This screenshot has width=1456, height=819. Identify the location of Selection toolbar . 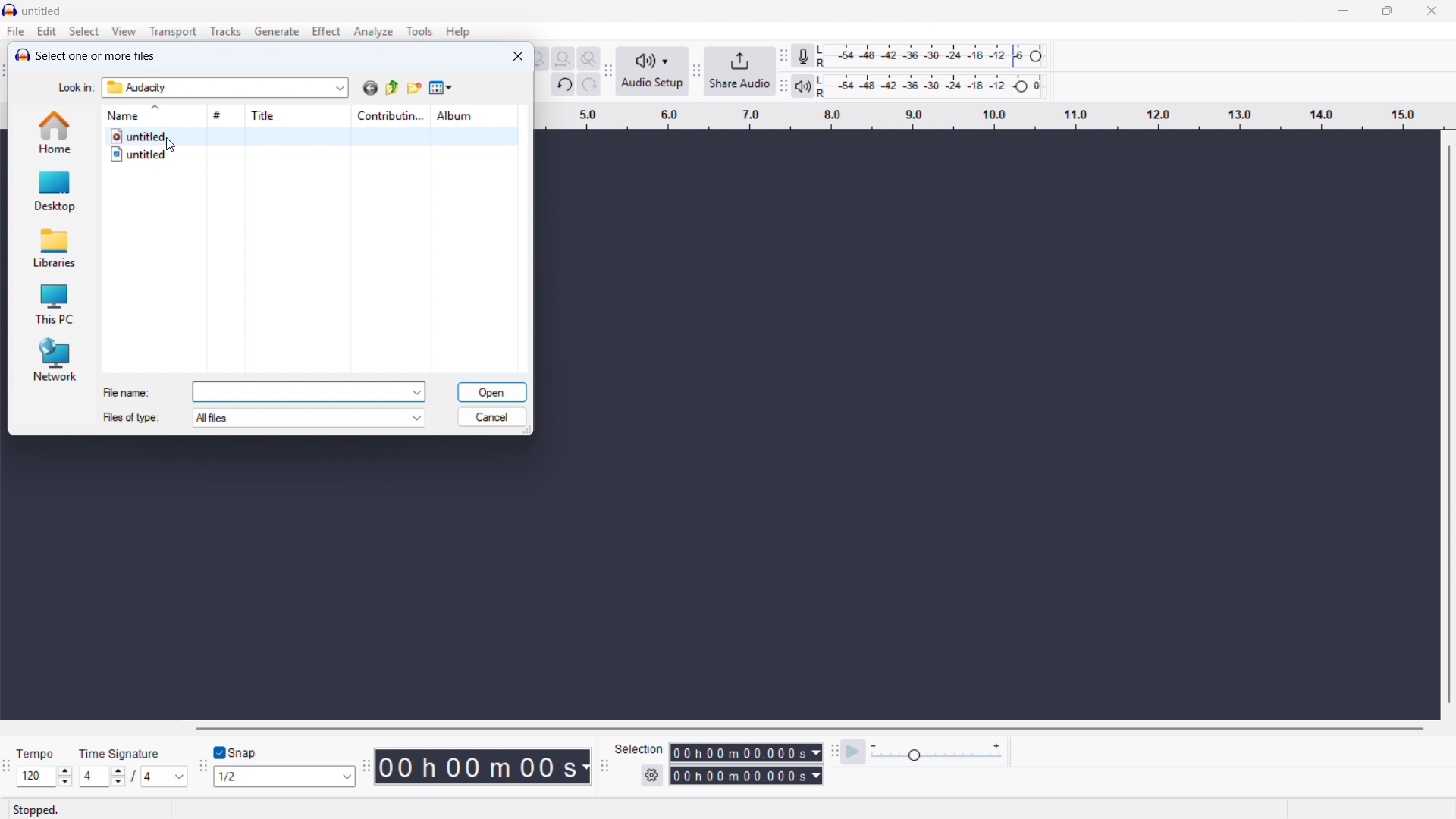
(603, 766).